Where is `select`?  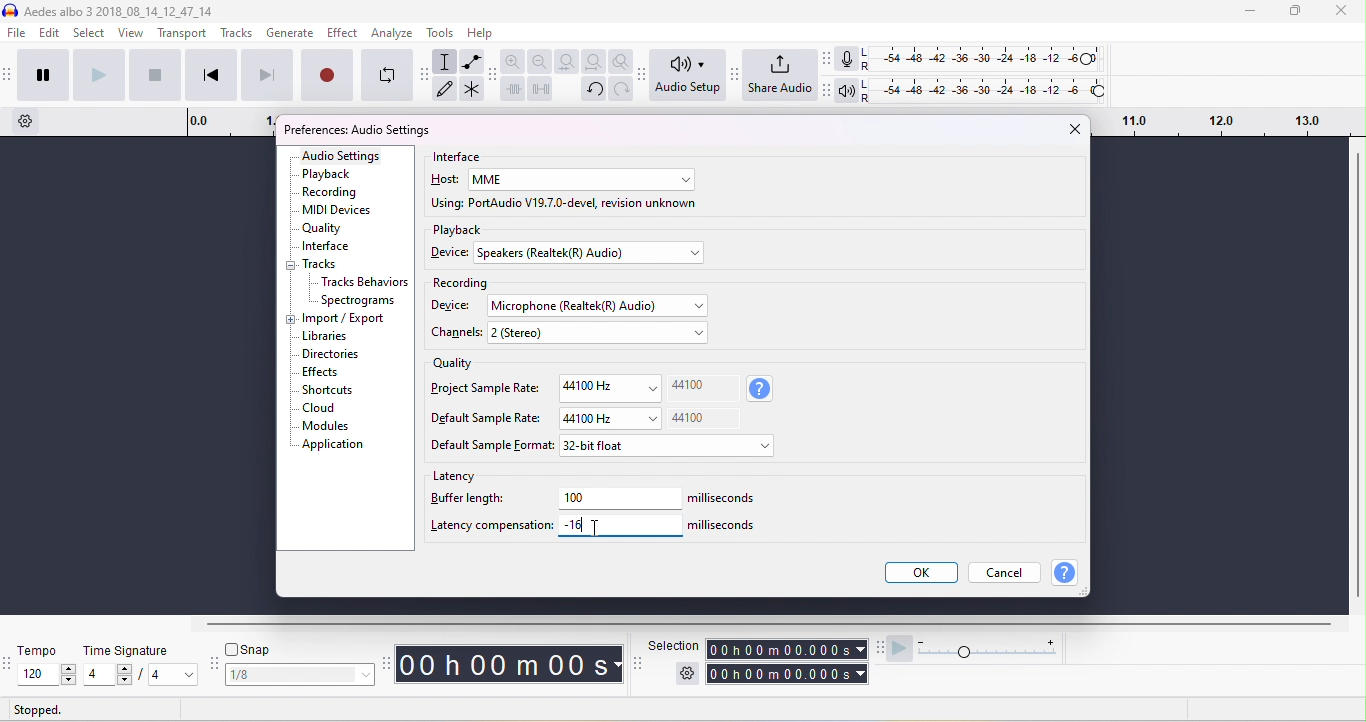
select is located at coordinates (90, 33).